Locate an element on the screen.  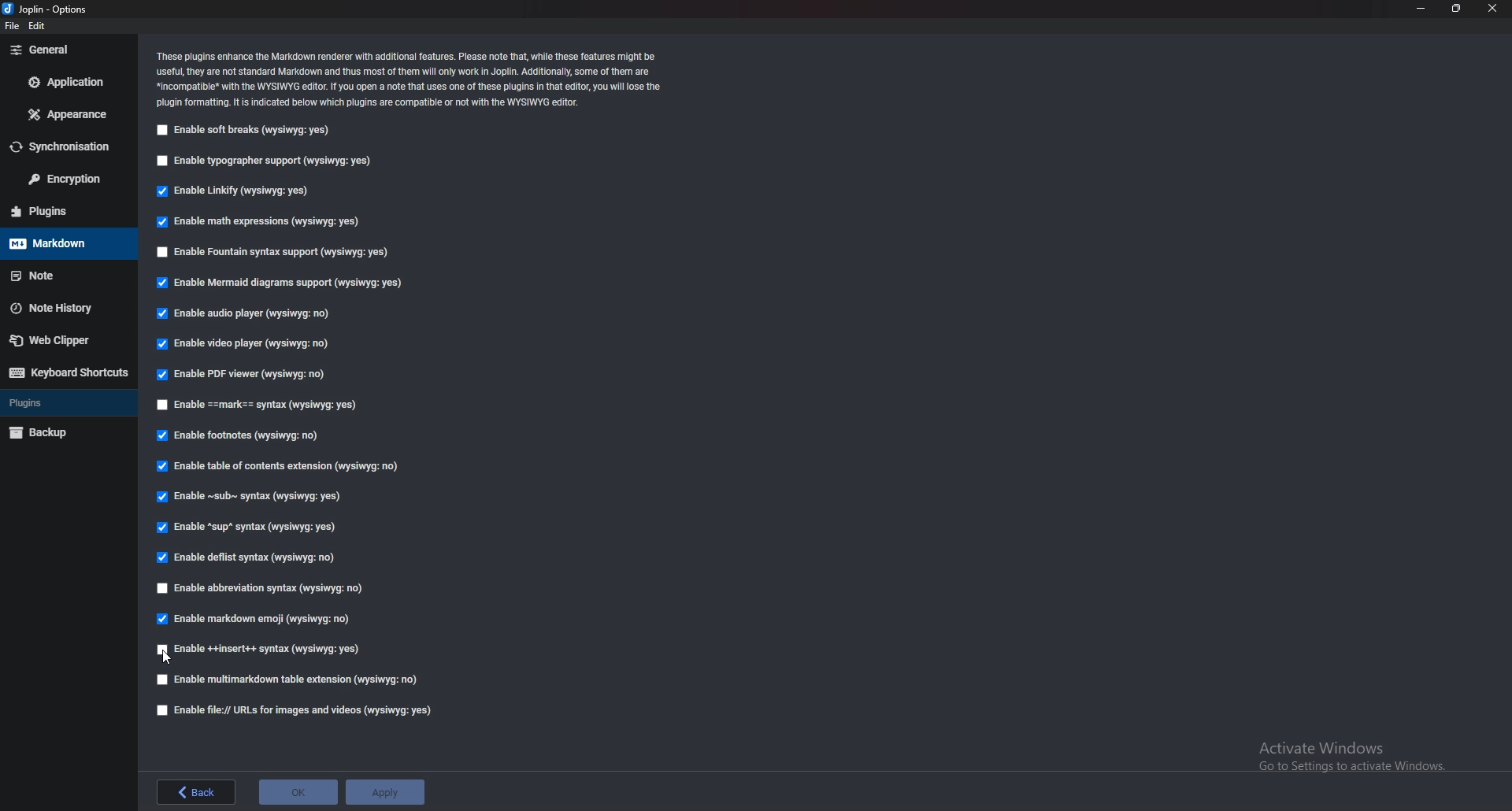
close is located at coordinates (1492, 8).